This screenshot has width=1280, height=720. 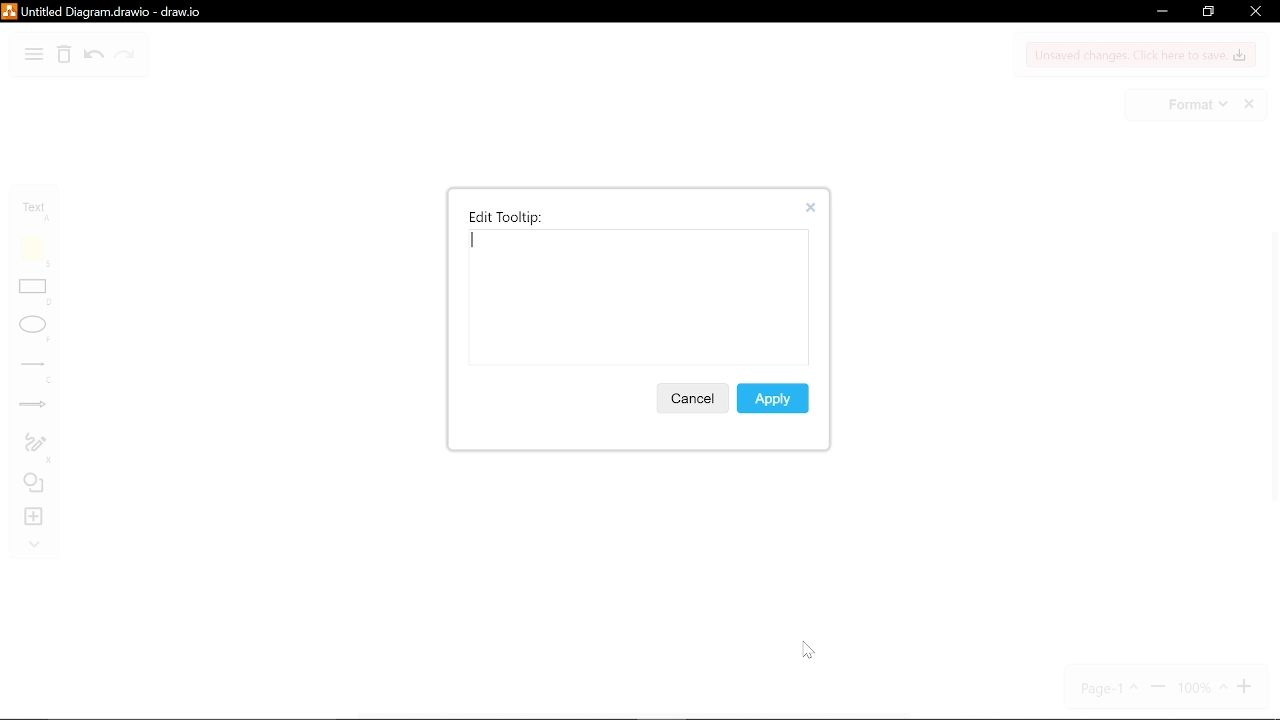 What do you see at coordinates (1254, 12) in the screenshot?
I see `close` at bounding box center [1254, 12].